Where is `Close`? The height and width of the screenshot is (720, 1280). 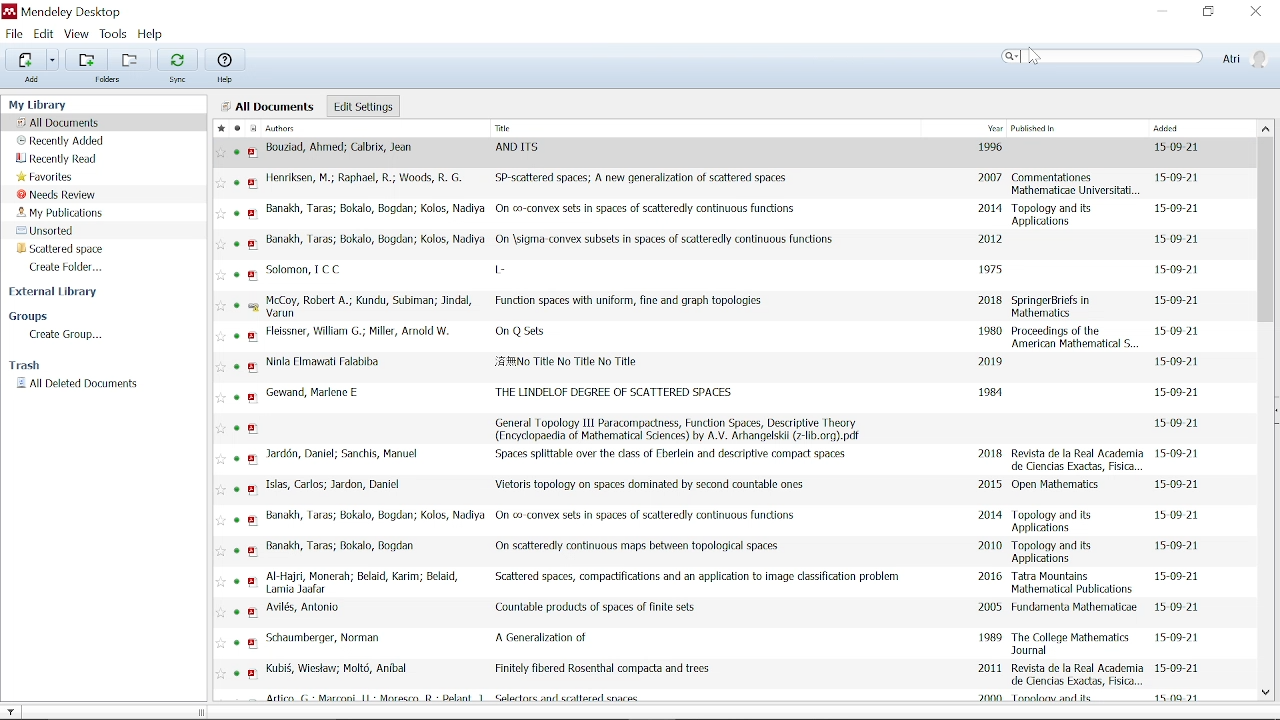
Close is located at coordinates (1258, 11).